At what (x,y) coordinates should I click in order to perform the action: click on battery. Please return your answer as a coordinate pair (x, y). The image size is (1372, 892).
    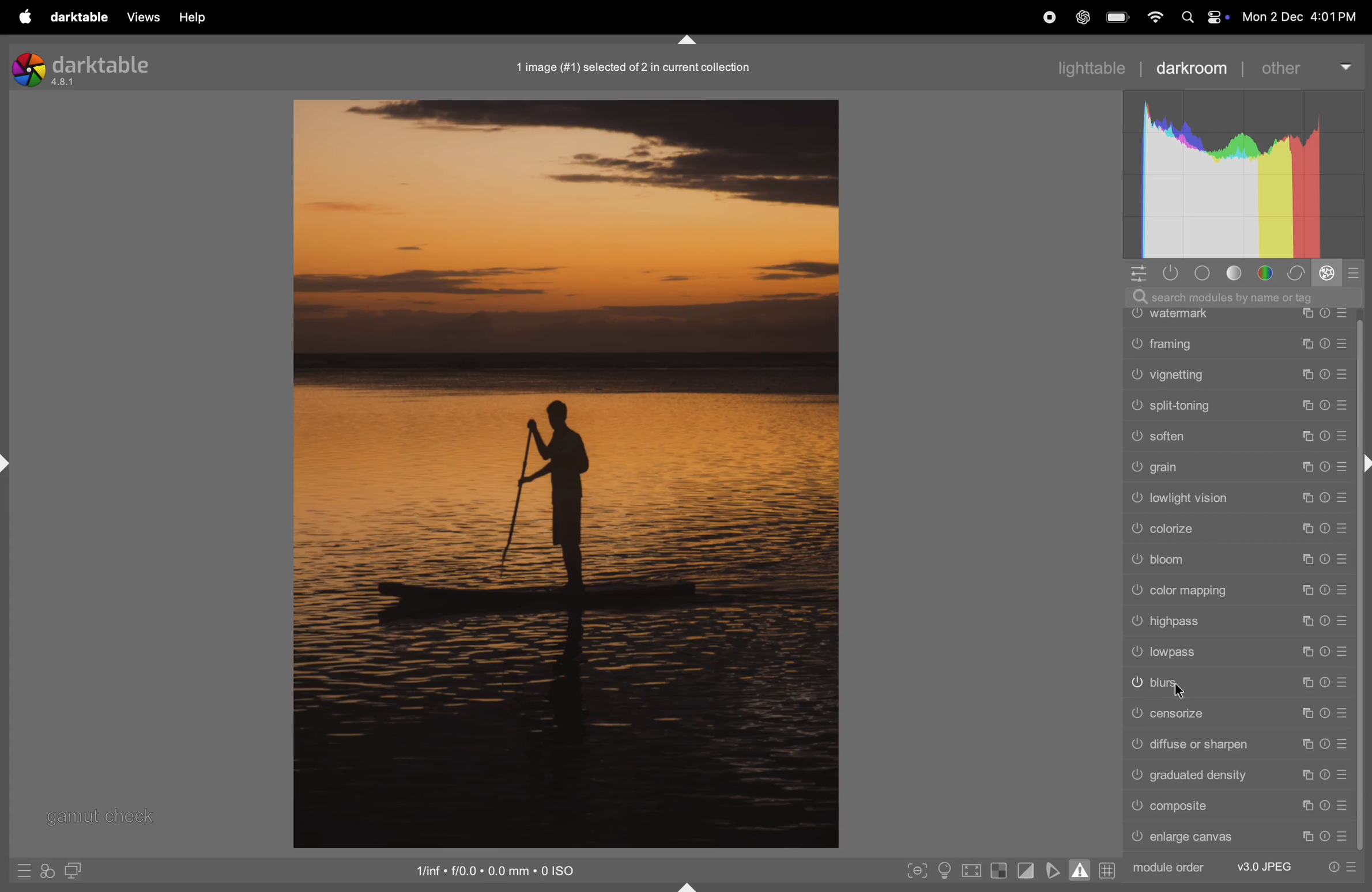
    Looking at the image, I should click on (1118, 16).